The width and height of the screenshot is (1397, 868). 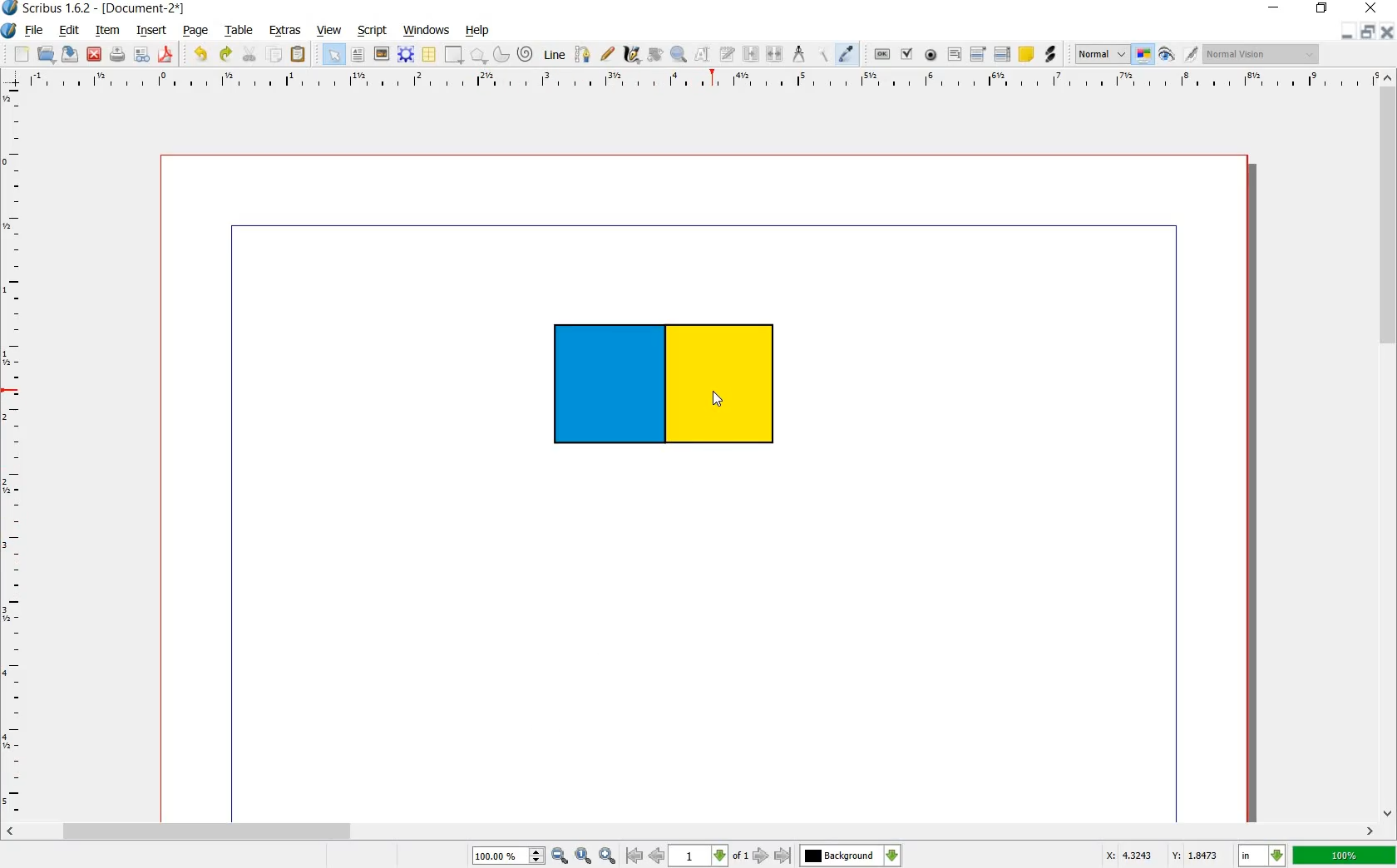 I want to click on edit text with story editor, so click(x=728, y=55).